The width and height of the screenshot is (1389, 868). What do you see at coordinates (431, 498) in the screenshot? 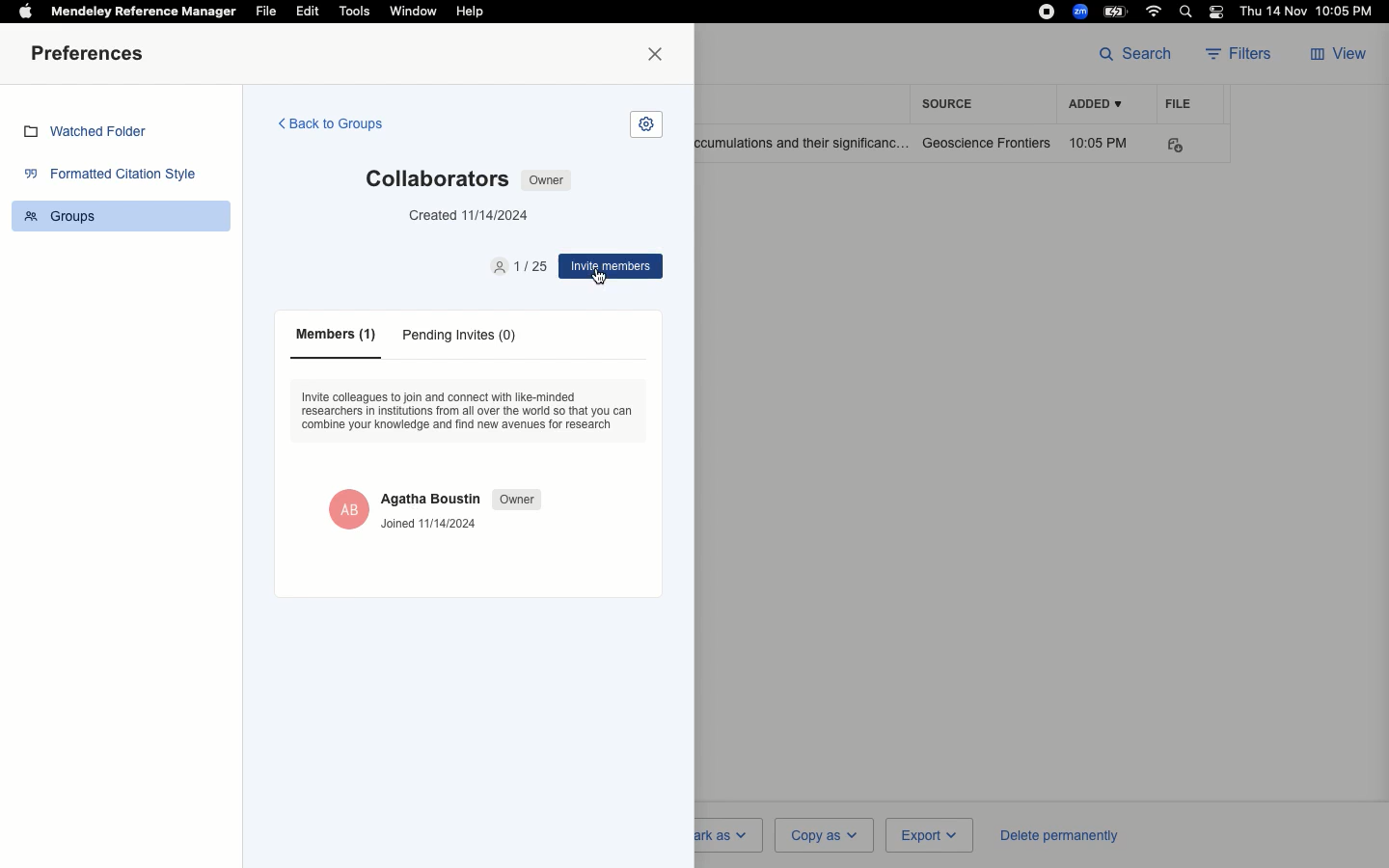
I see `Agatha Boustin` at bounding box center [431, 498].